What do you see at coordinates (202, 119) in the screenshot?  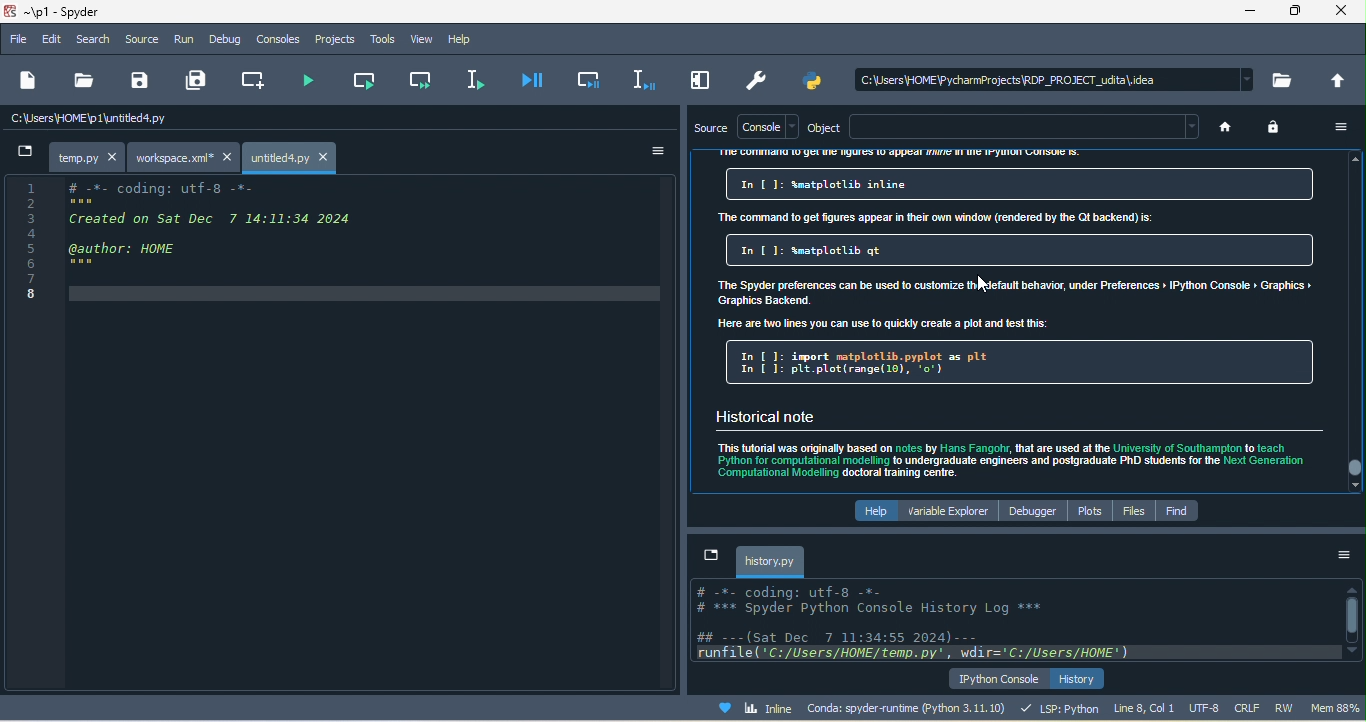 I see `c\users\home` at bounding box center [202, 119].